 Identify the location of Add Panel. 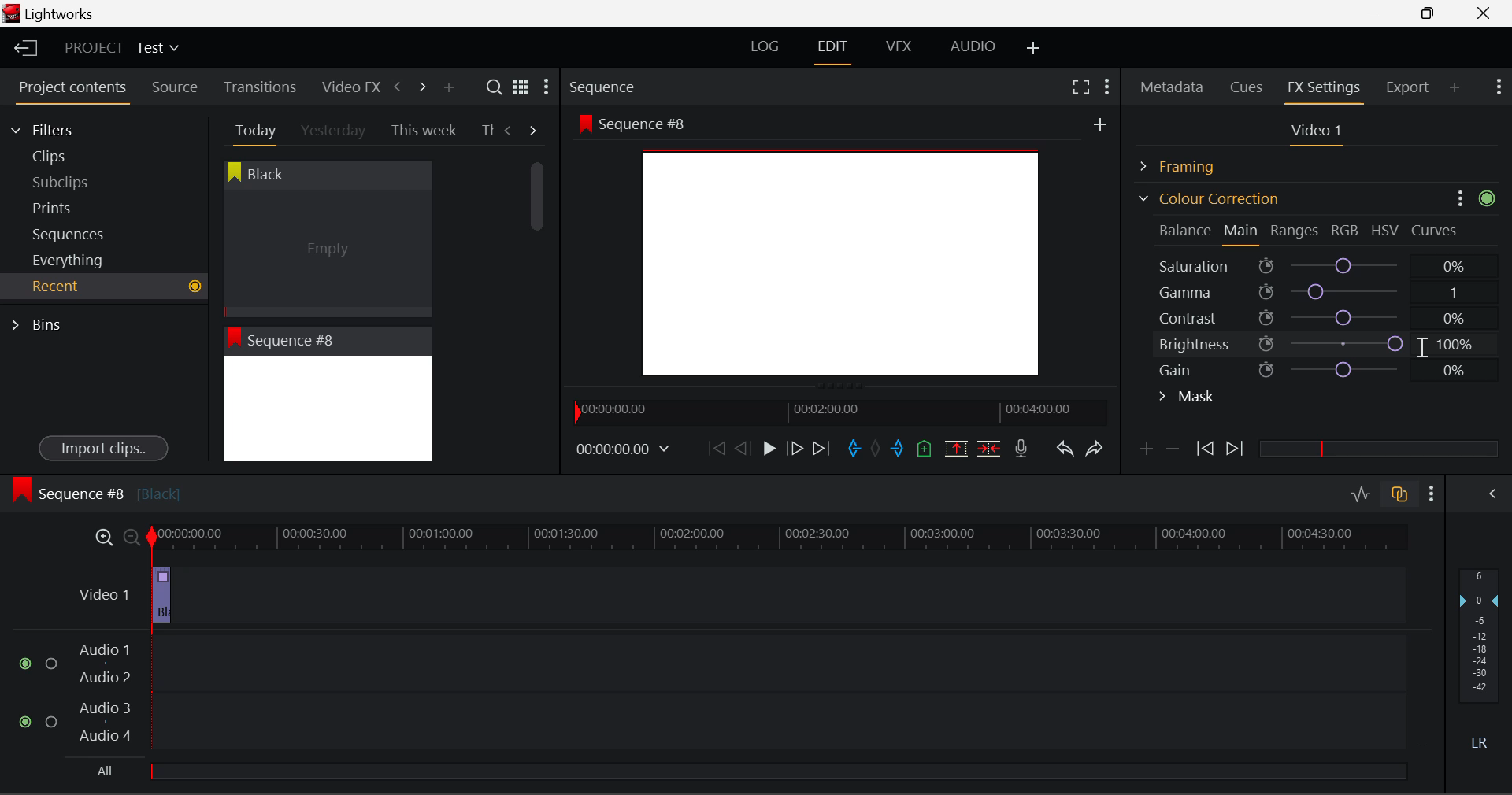
(448, 88).